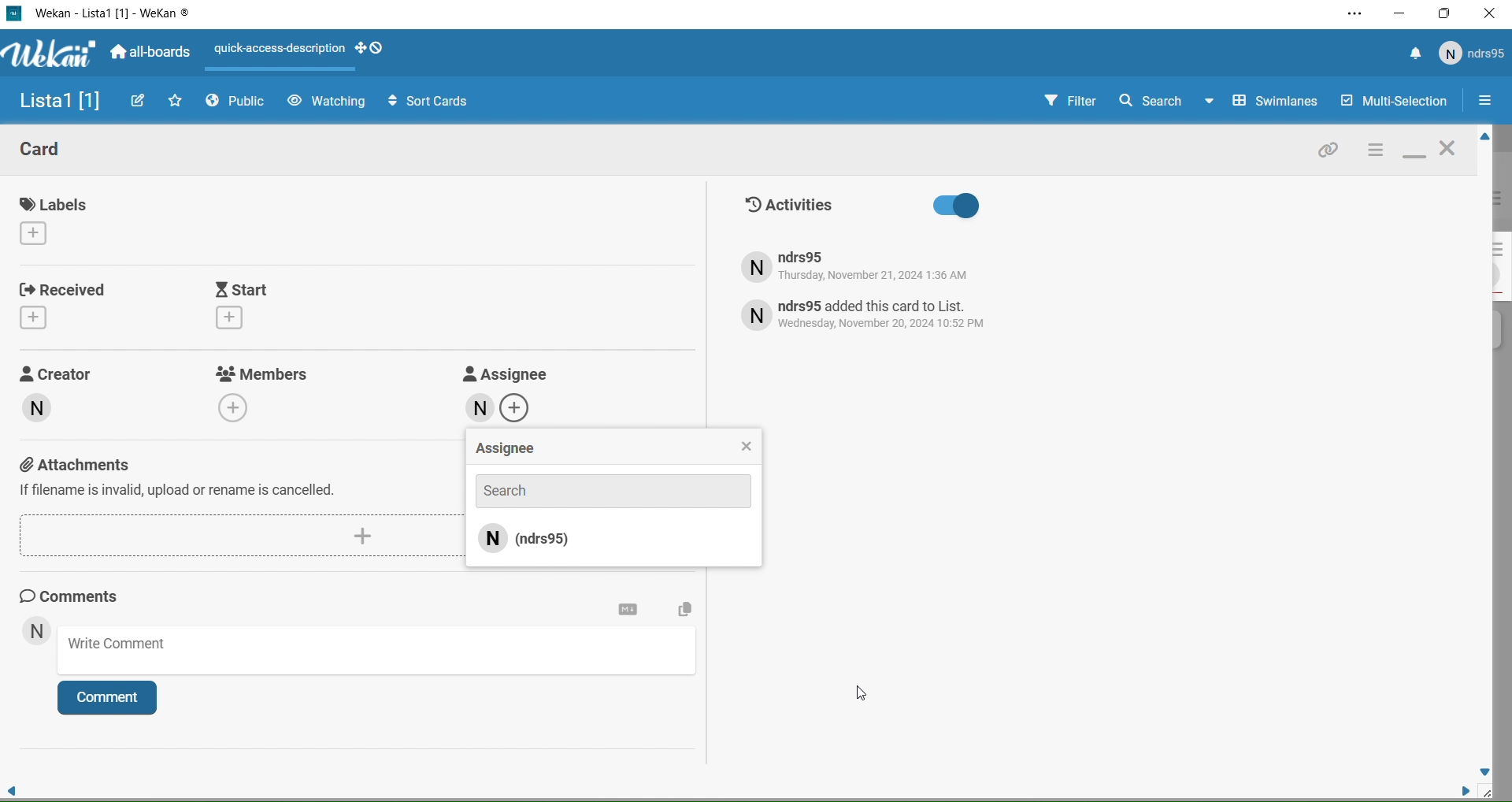 The image size is (1512, 802). I want to click on Received, so click(67, 303).